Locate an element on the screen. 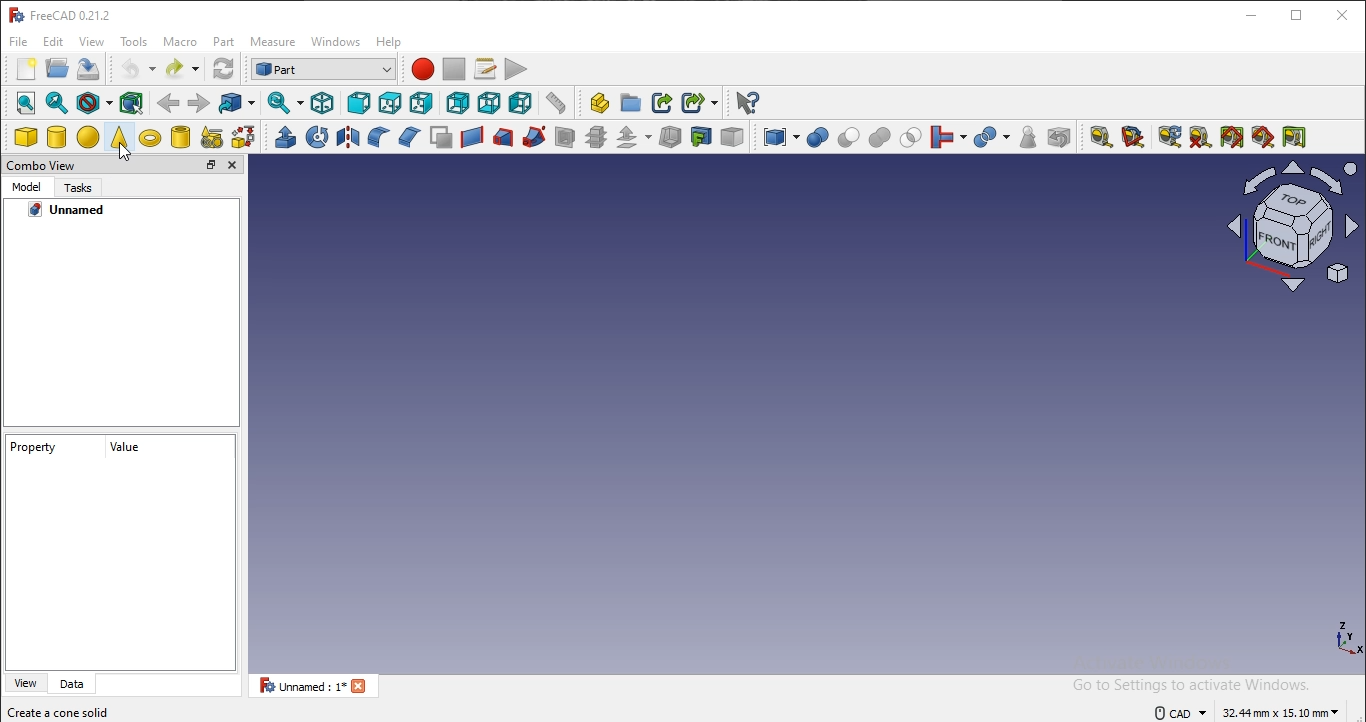  cylinder is located at coordinates (57, 137).